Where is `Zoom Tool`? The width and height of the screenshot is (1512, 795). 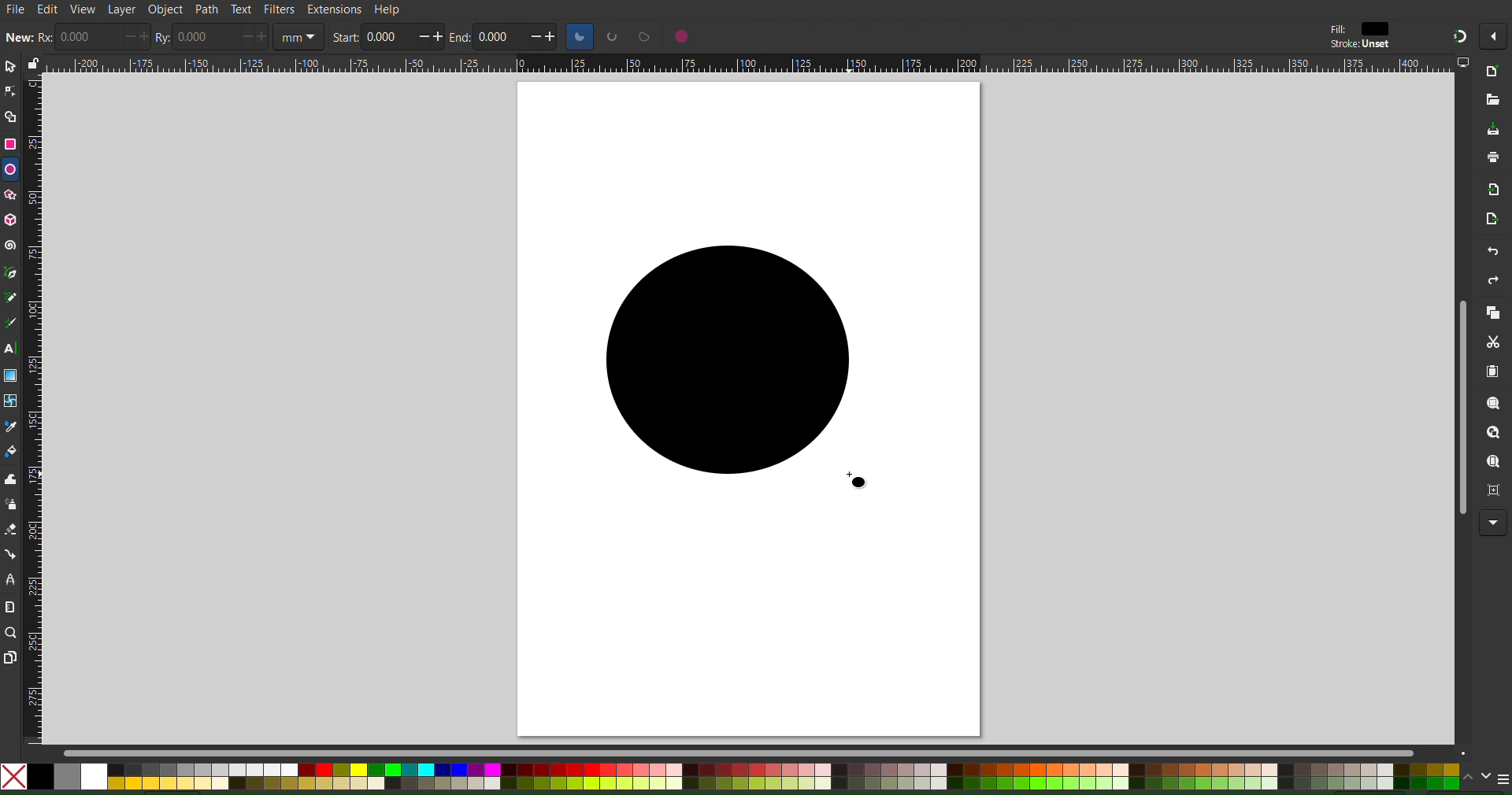 Zoom Tool is located at coordinates (9, 631).